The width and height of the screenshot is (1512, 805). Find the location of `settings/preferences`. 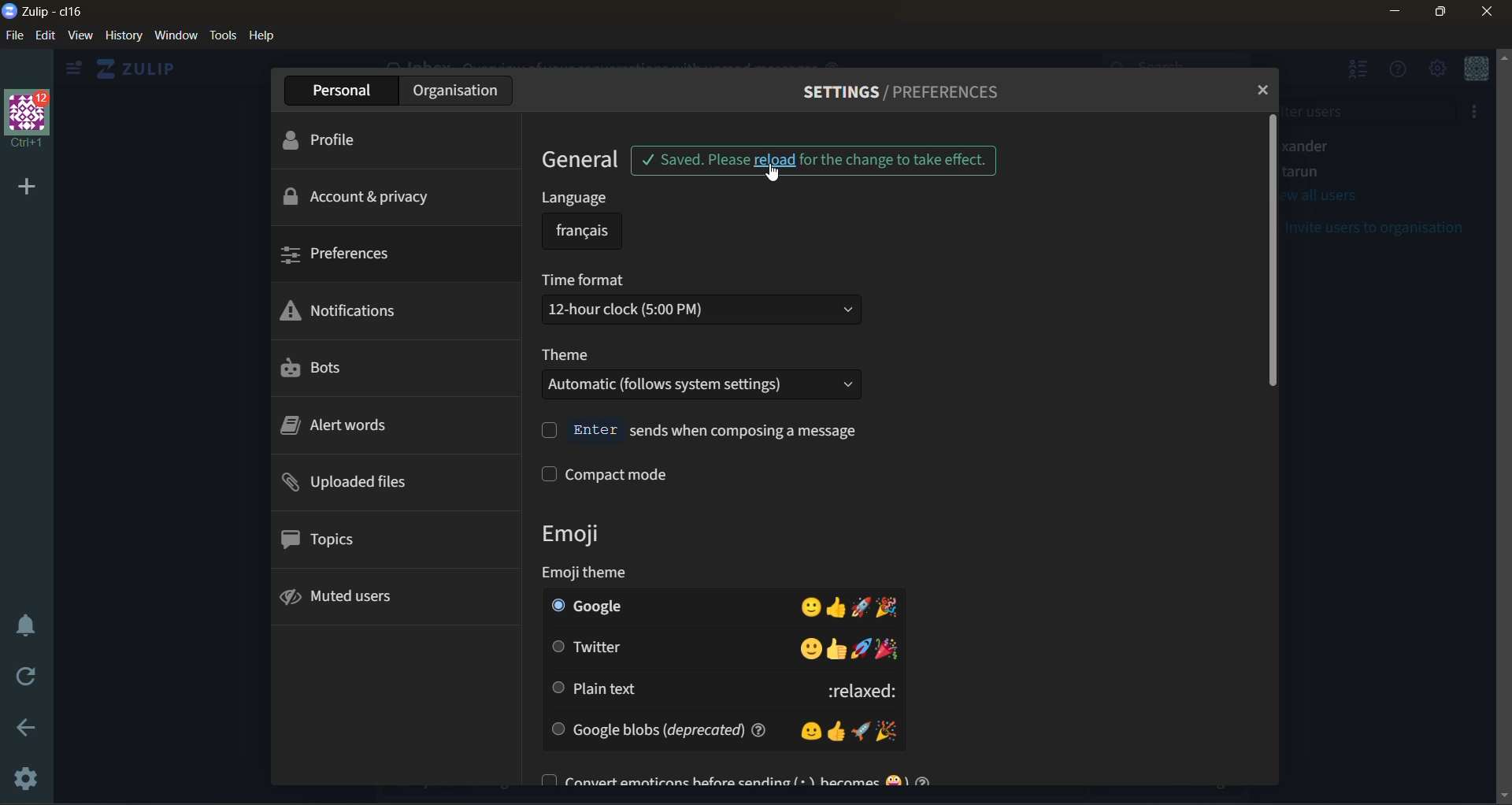

settings/preferences is located at coordinates (913, 93).